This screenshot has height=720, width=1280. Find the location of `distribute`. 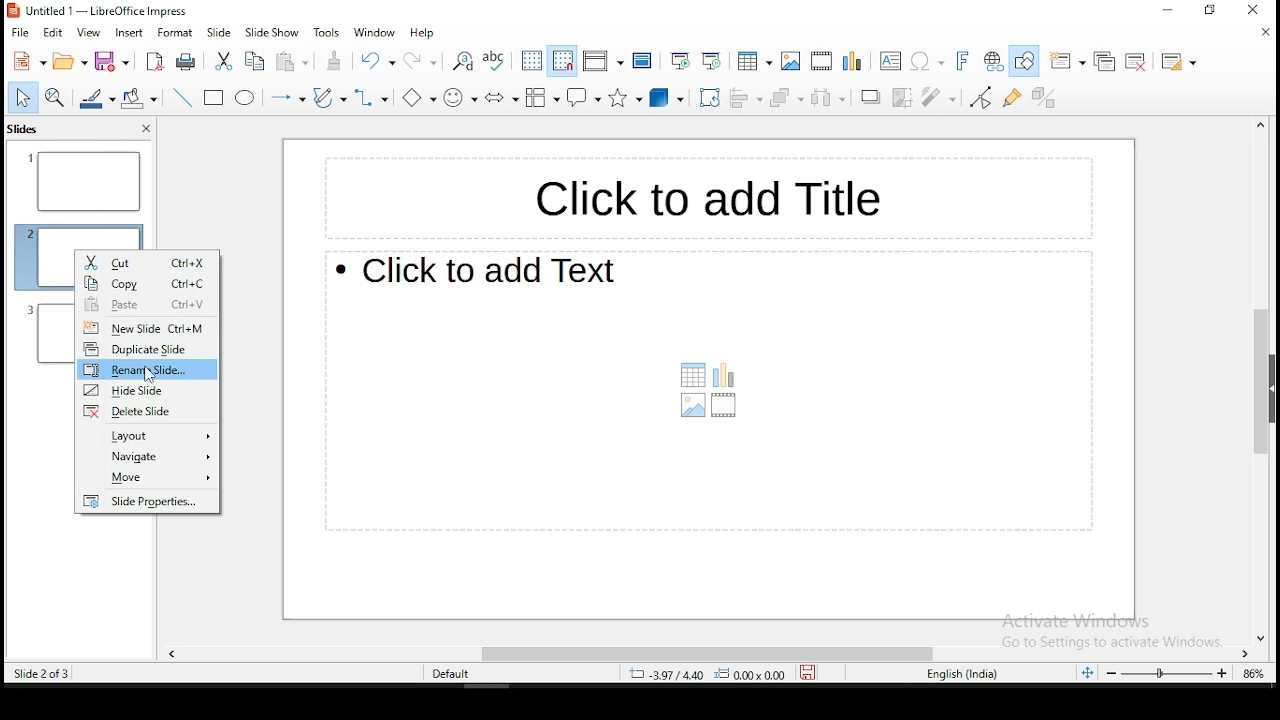

distribute is located at coordinates (828, 99).